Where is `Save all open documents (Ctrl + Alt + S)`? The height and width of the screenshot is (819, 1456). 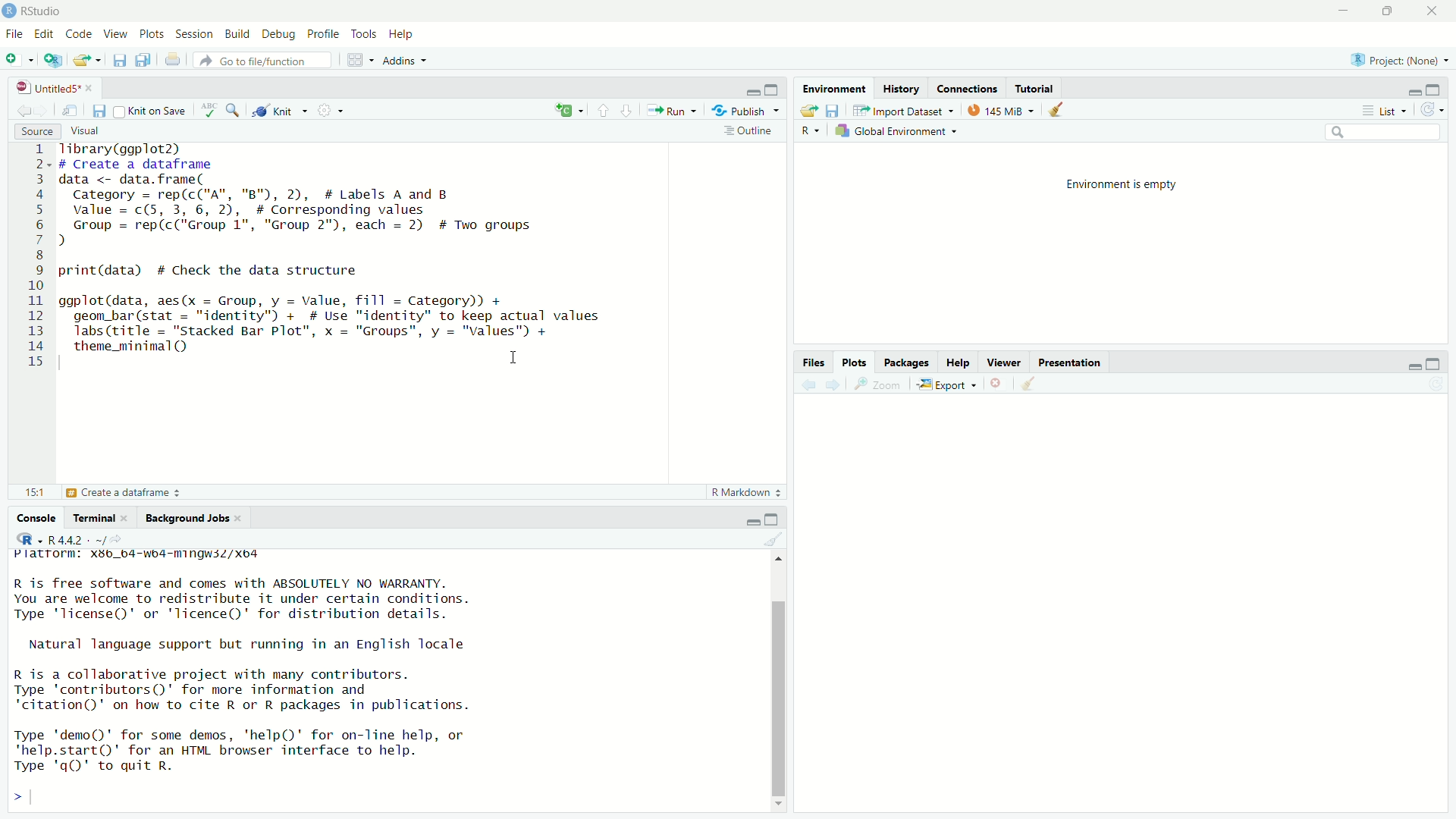 Save all open documents (Ctrl + Alt + S) is located at coordinates (145, 60).